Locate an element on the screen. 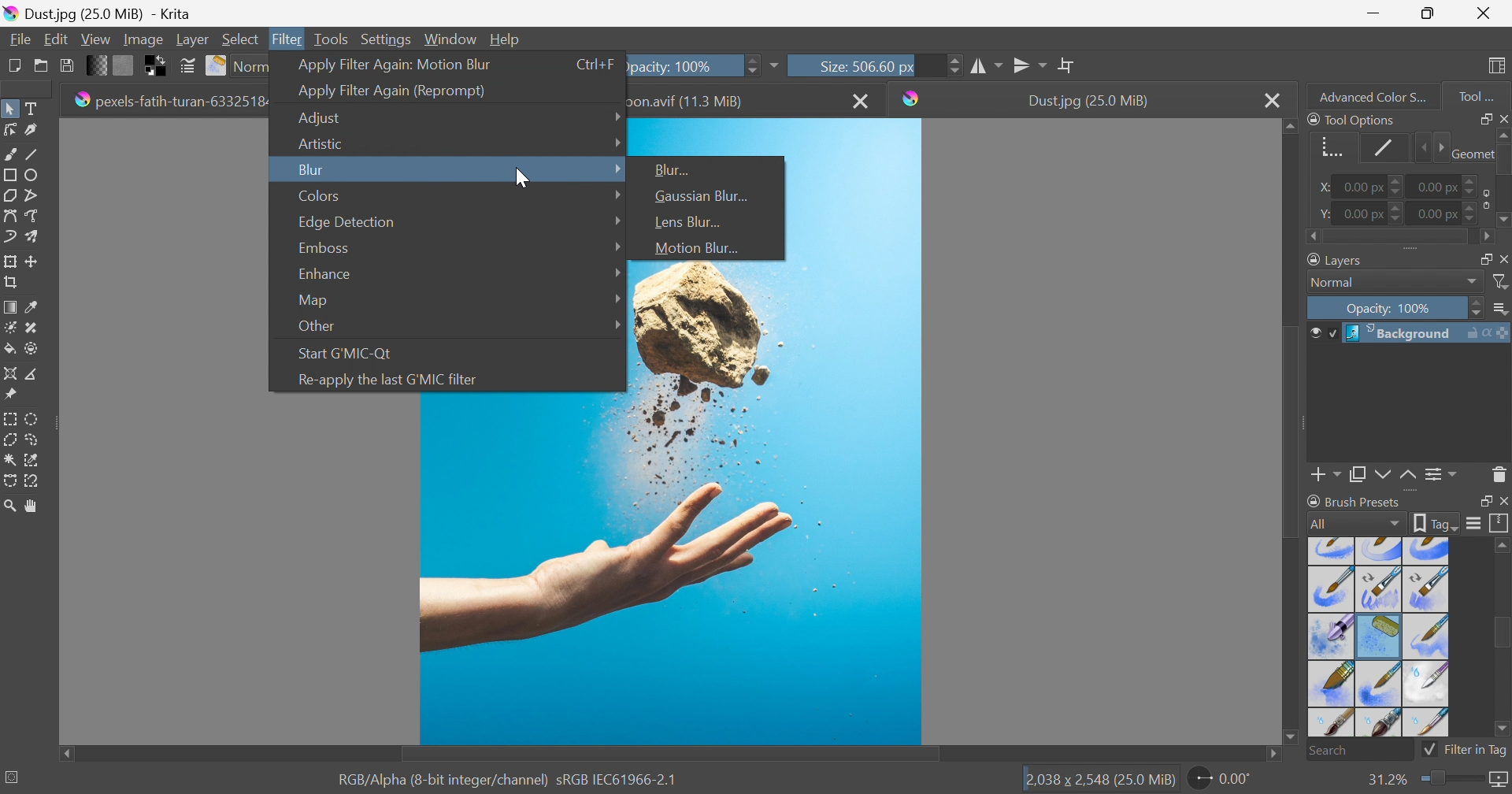 The image size is (1512, 794). Drop Down is located at coordinates (615, 114).